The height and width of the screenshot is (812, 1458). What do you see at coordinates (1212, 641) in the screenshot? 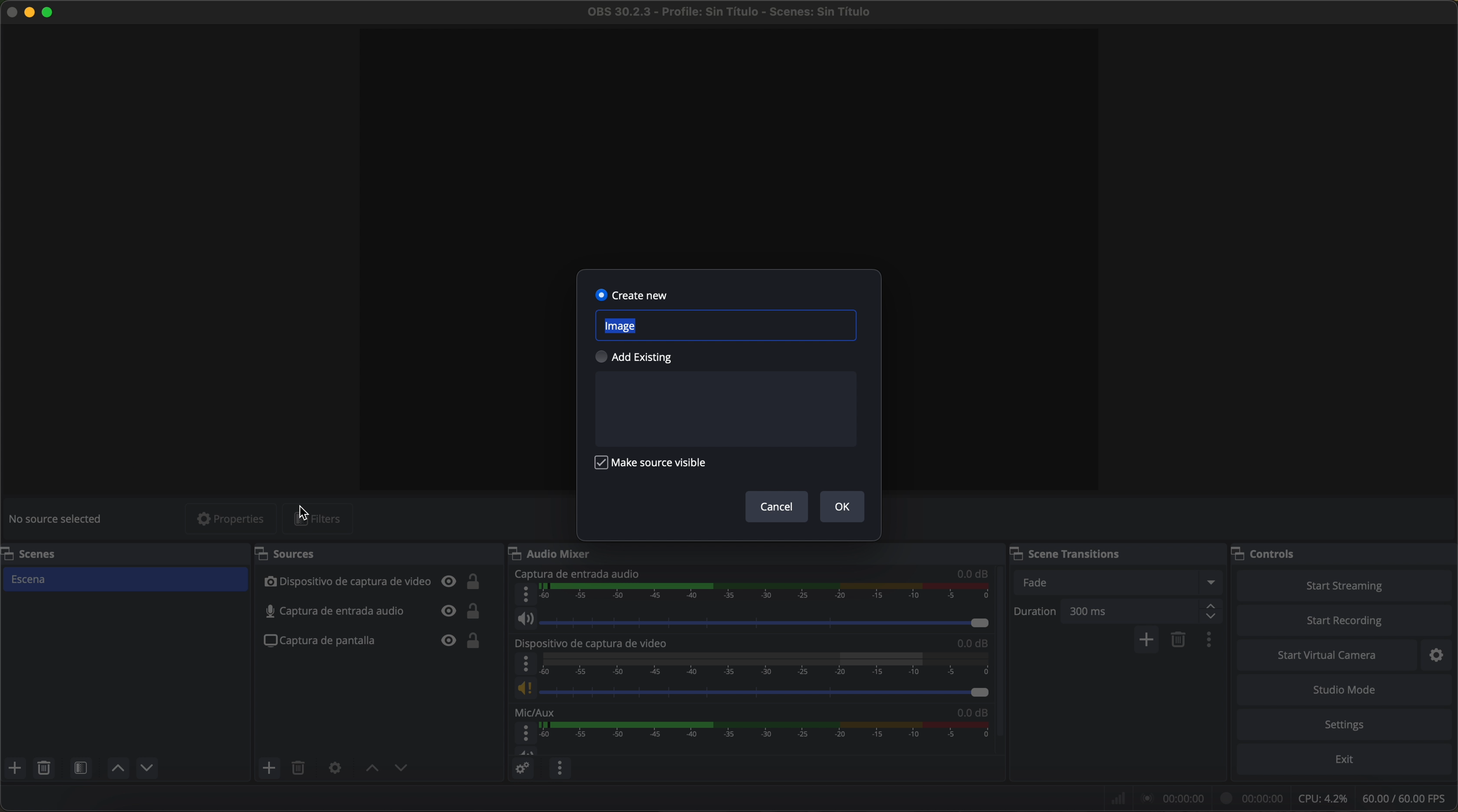
I see `transition properties` at bounding box center [1212, 641].